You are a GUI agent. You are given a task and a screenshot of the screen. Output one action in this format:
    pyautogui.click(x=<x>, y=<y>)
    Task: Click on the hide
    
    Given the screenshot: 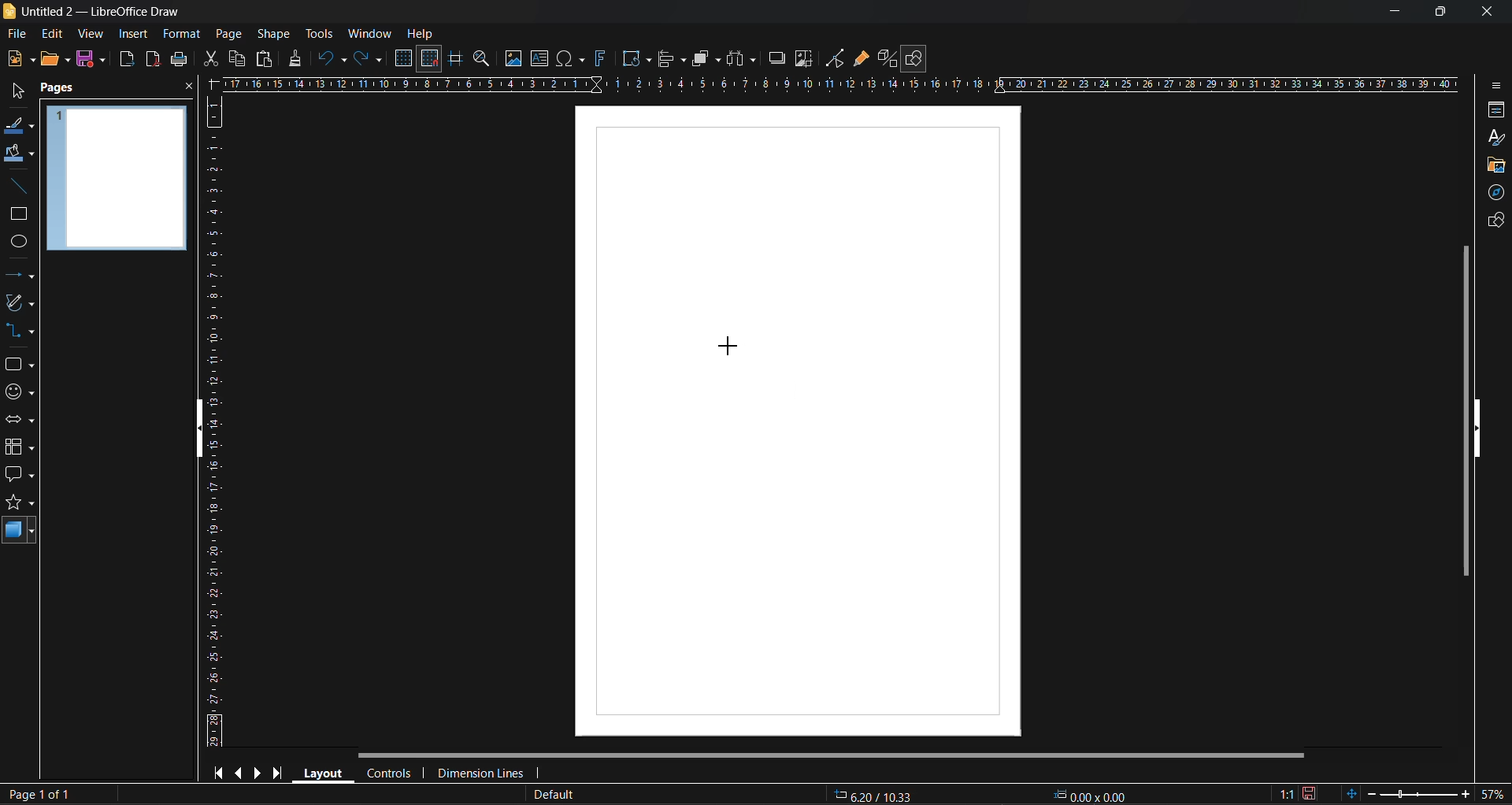 What is the action you would take?
    pyautogui.click(x=1477, y=428)
    